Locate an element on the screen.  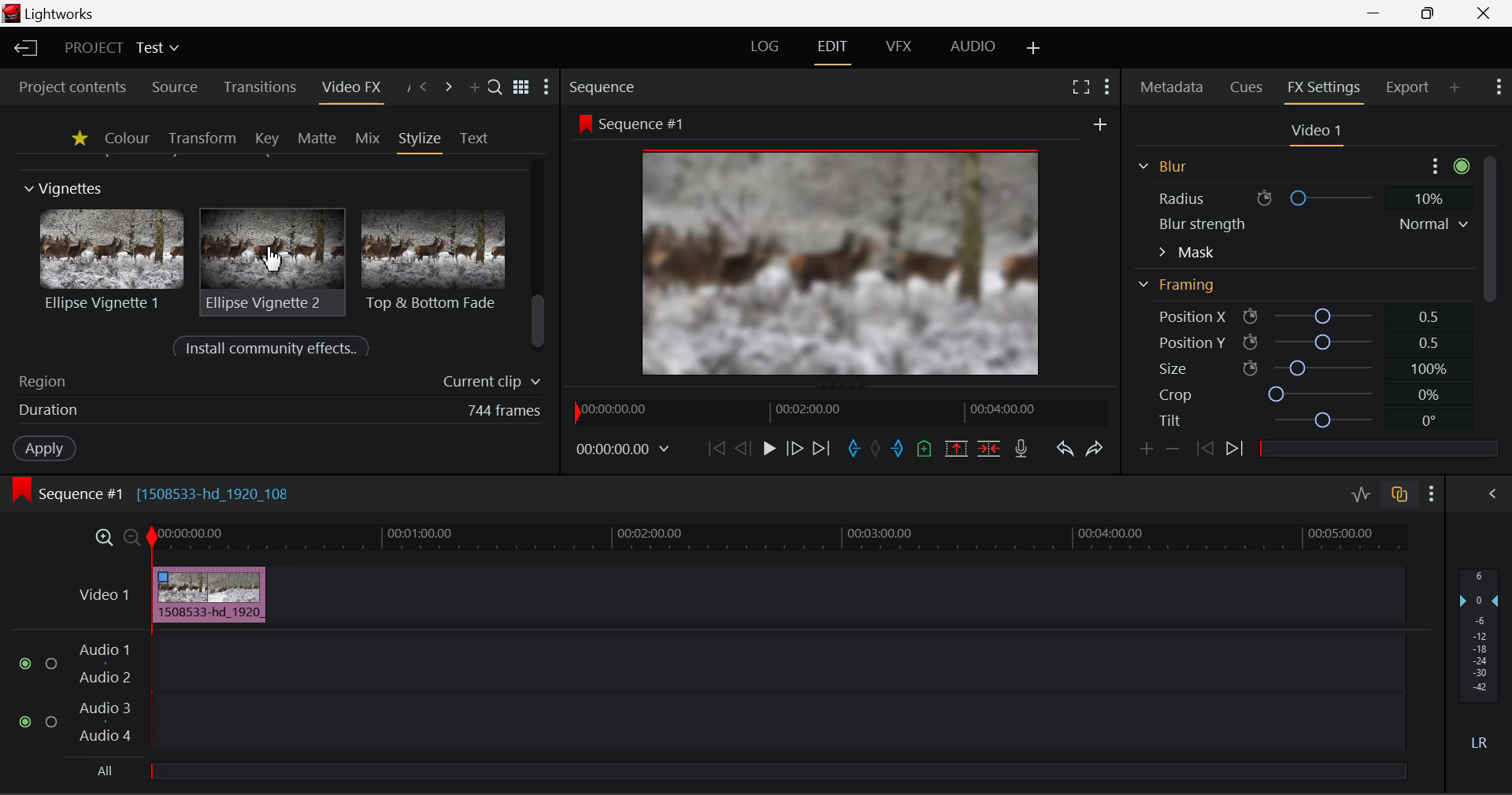
Delete/Cut is located at coordinates (991, 444).